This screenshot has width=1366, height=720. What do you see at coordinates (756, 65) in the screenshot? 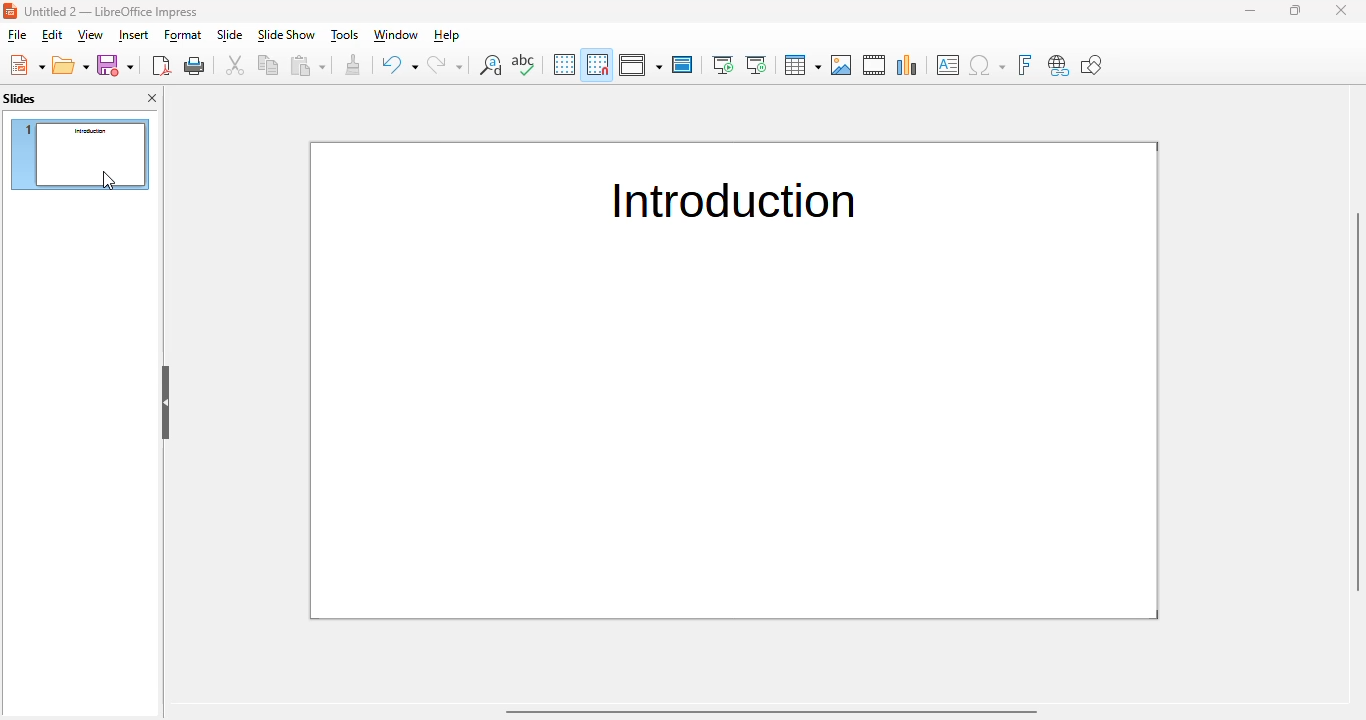
I see `start from current slide` at bounding box center [756, 65].